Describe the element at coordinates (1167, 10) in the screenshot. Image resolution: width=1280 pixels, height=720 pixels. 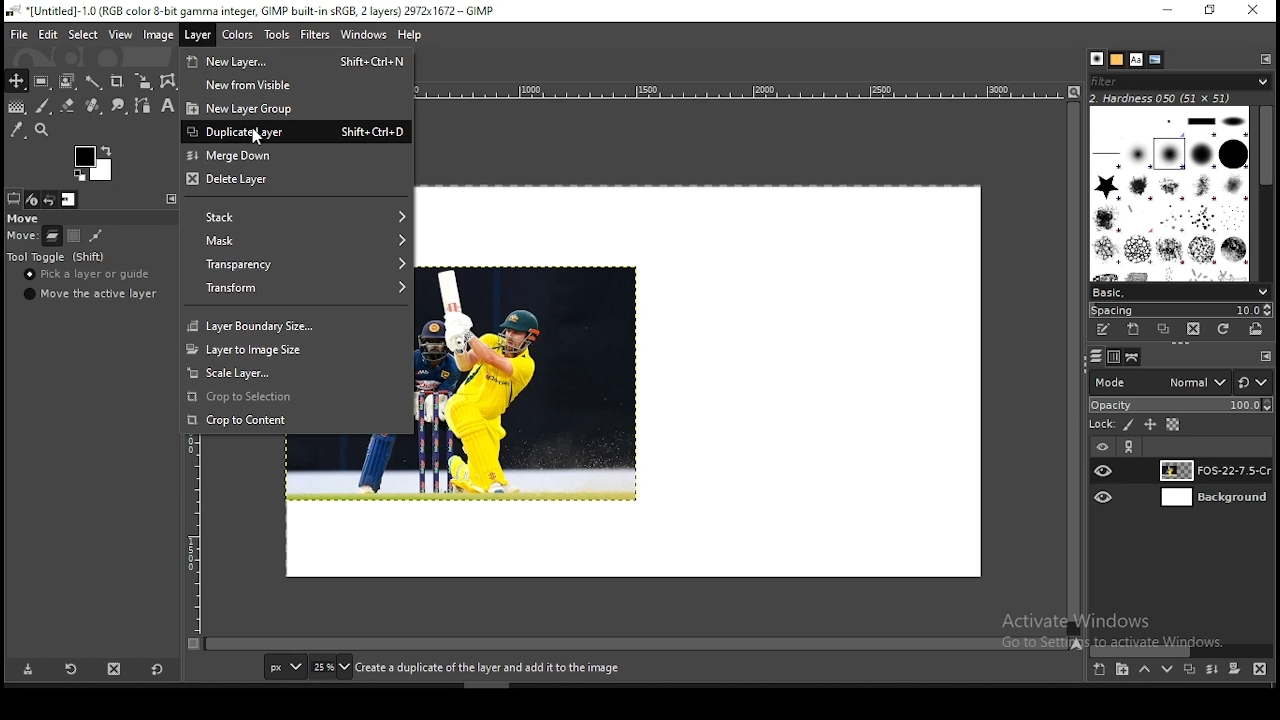
I see `Minimise ` at that location.